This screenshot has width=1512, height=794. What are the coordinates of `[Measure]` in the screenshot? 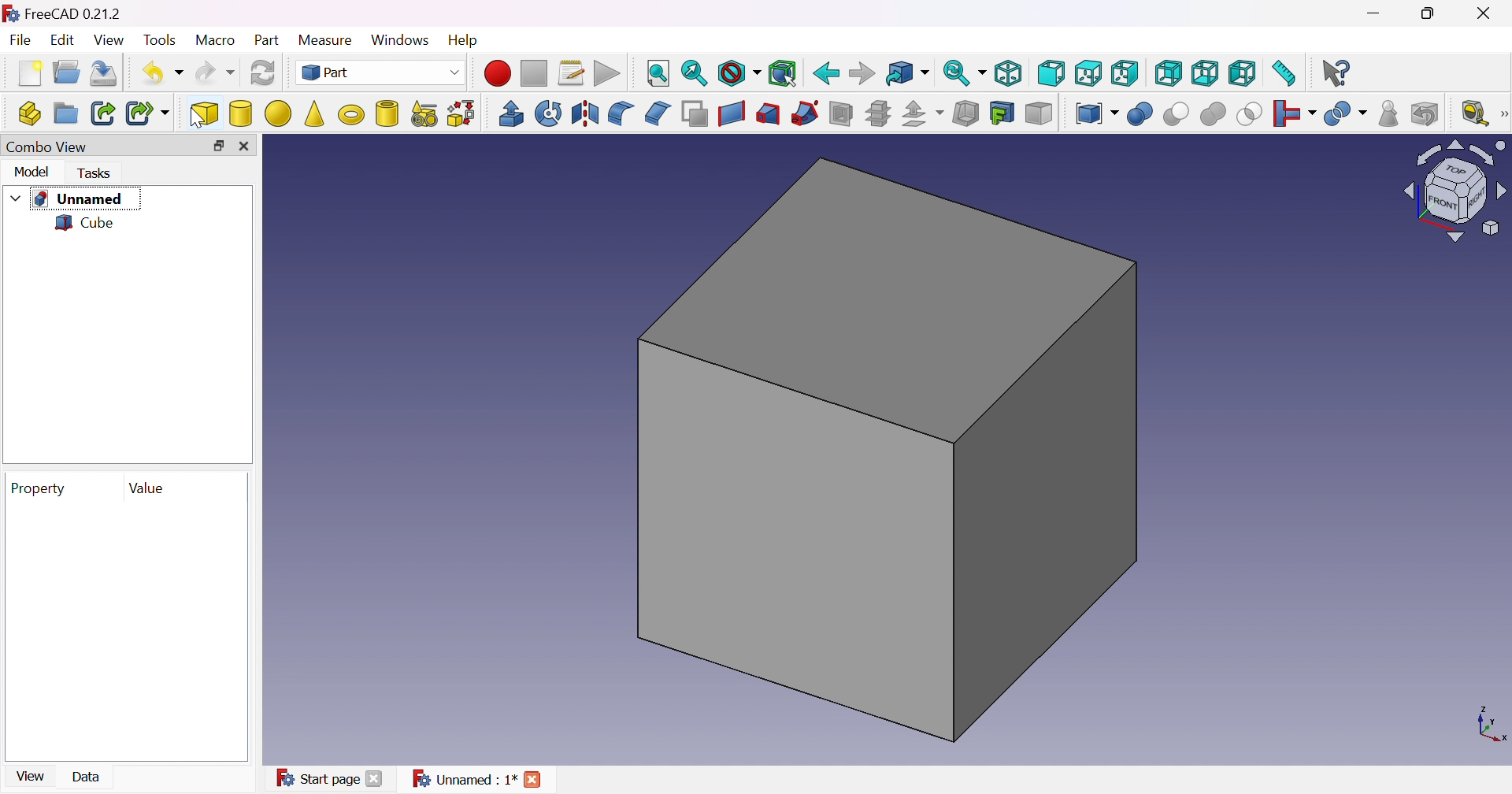 It's located at (1503, 114).